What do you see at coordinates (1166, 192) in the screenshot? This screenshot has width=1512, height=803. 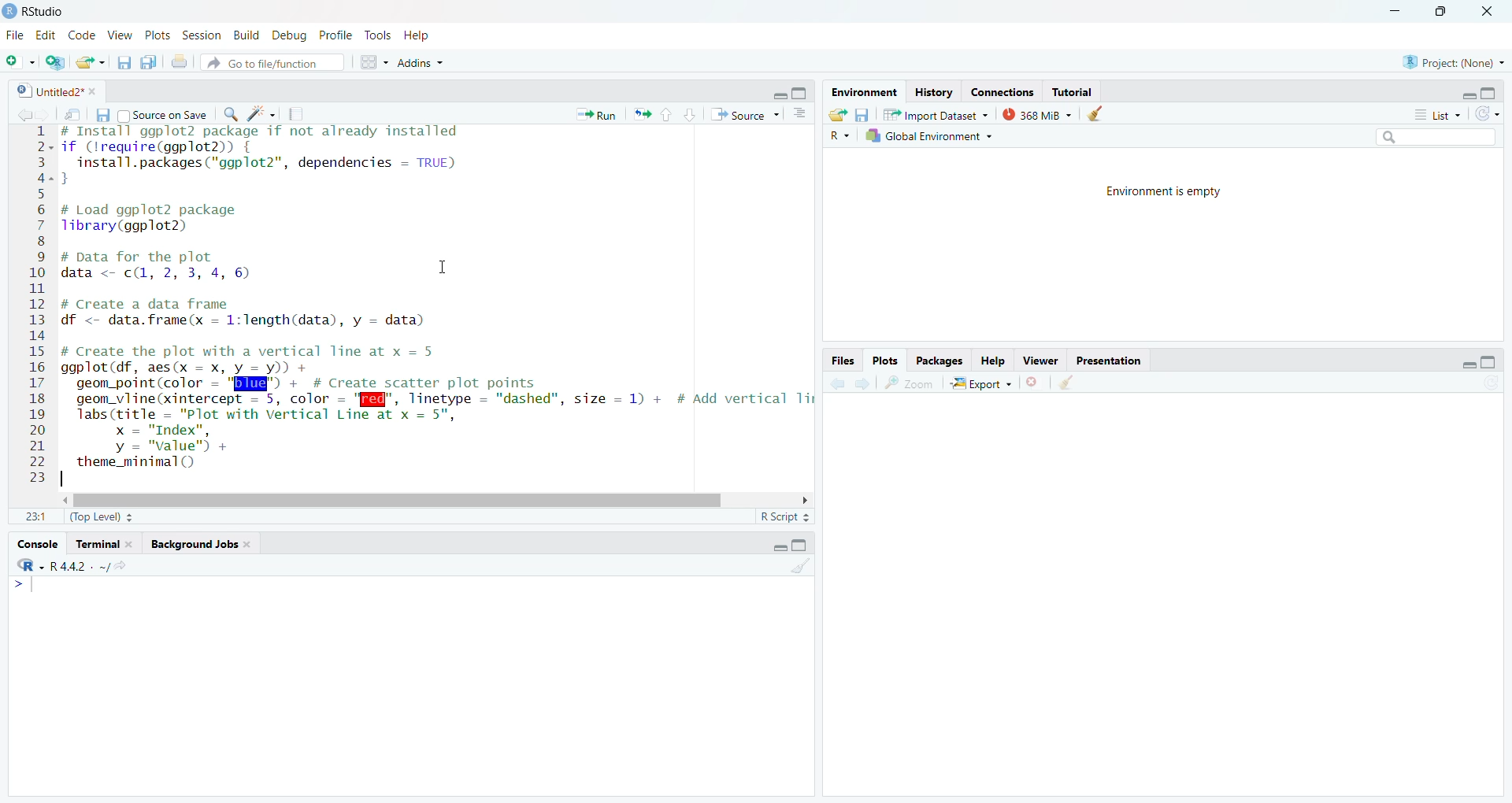 I see `Environment is empty` at bounding box center [1166, 192].